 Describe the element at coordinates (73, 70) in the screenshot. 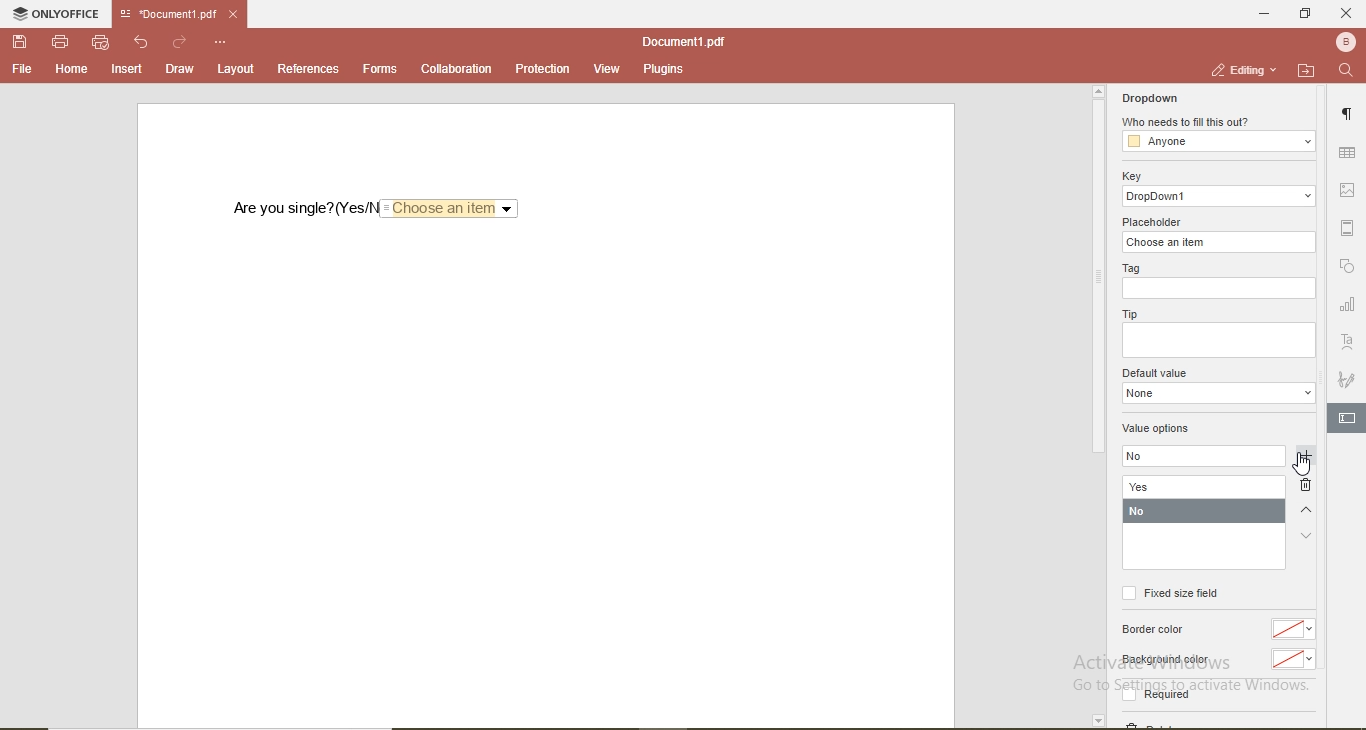

I see `home` at that location.